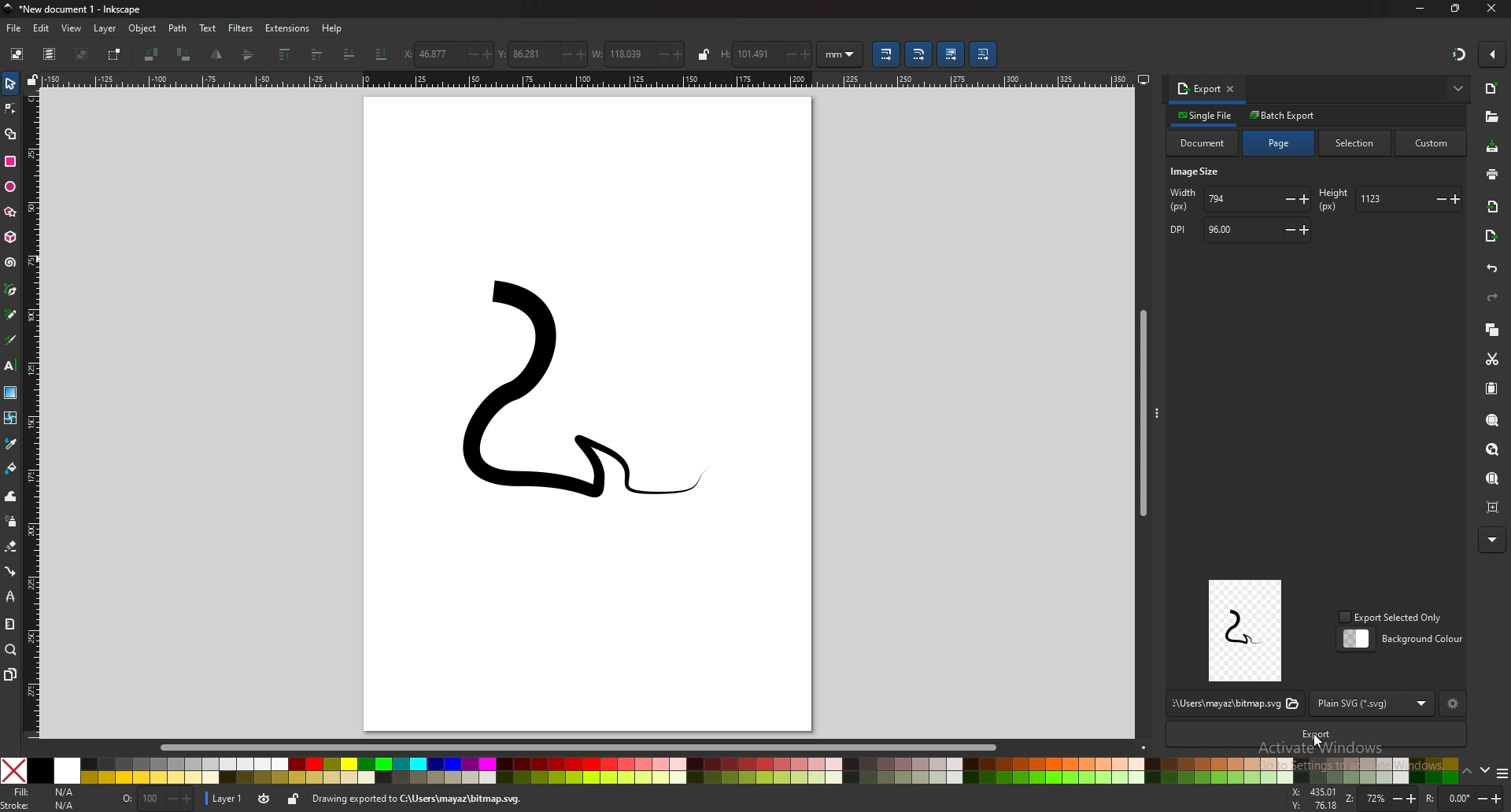  I want to click on path, so click(178, 28).